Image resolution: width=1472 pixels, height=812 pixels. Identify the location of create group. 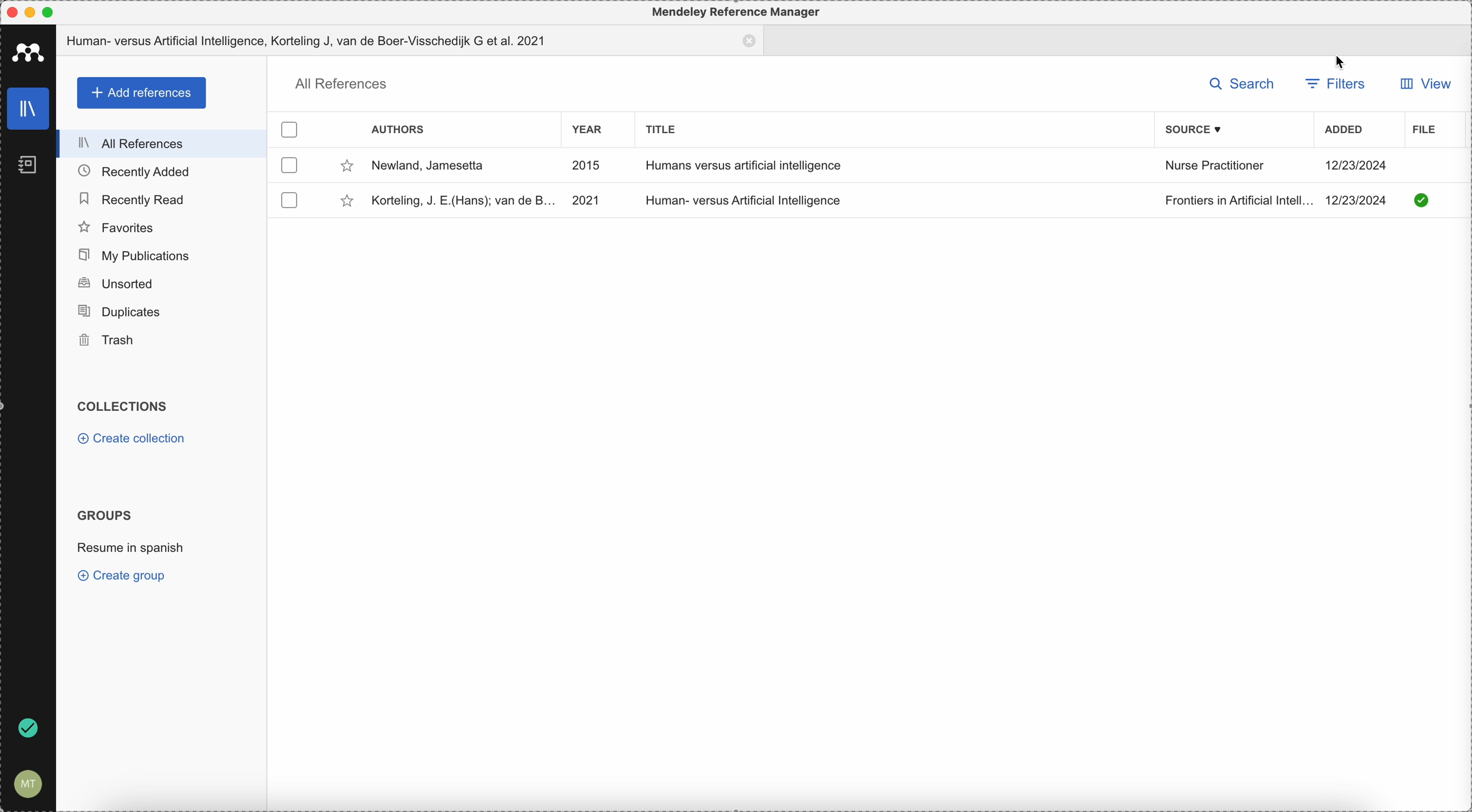
(125, 577).